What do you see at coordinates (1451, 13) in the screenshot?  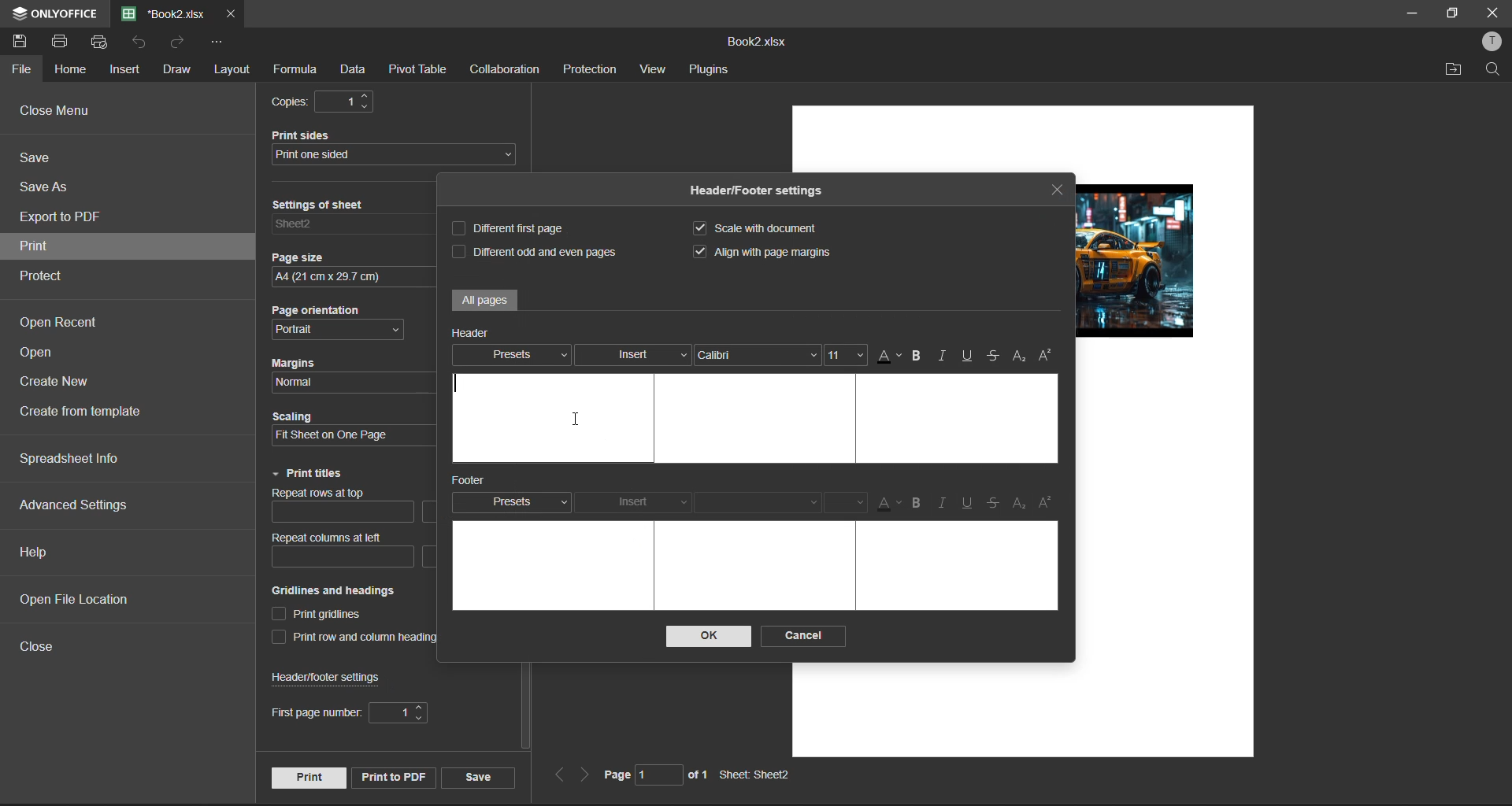 I see `maximize` at bounding box center [1451, 13].